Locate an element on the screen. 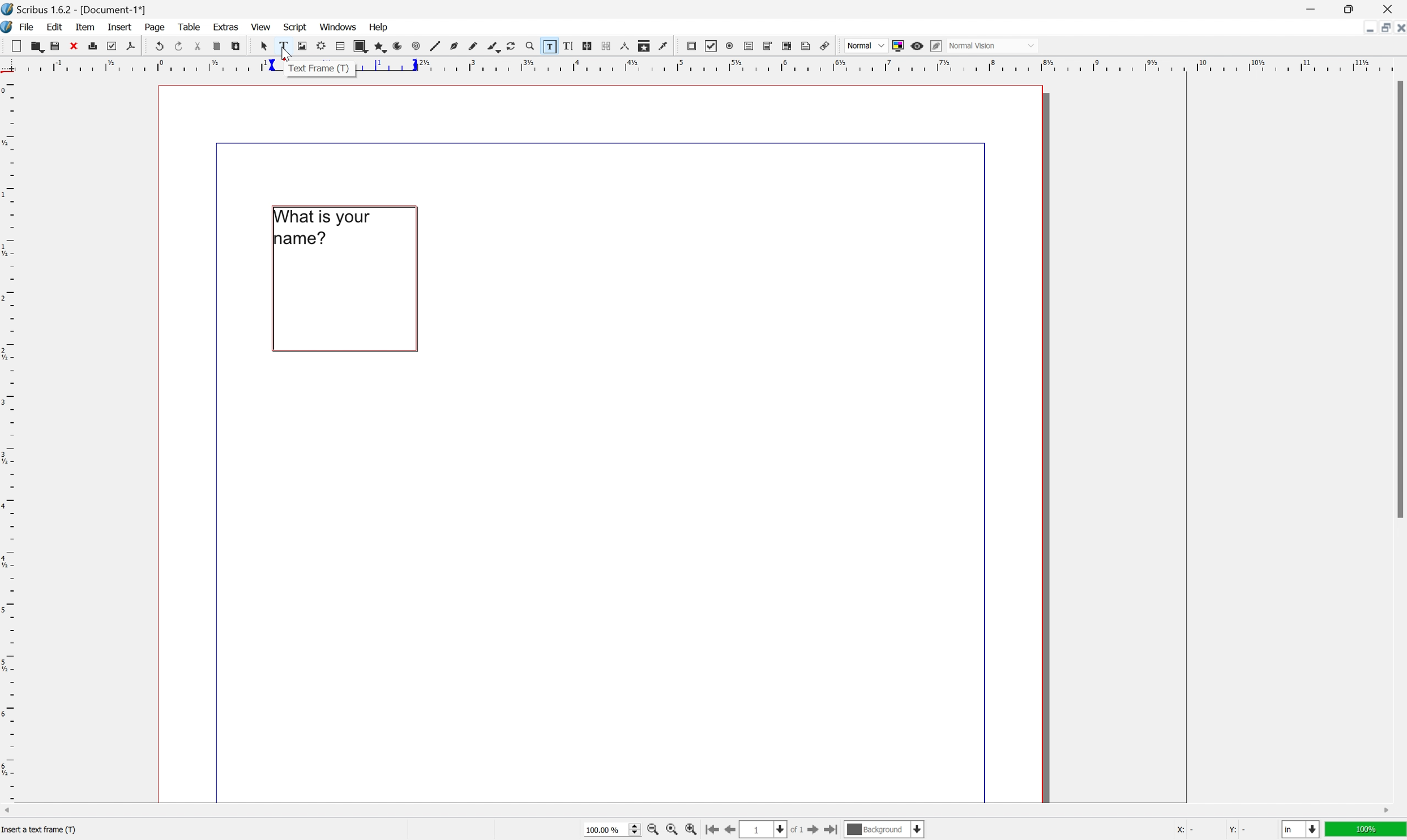 Image resolution: width=1407 pixels, height=840 pixels. cursor is located at coordinates (263, 46).